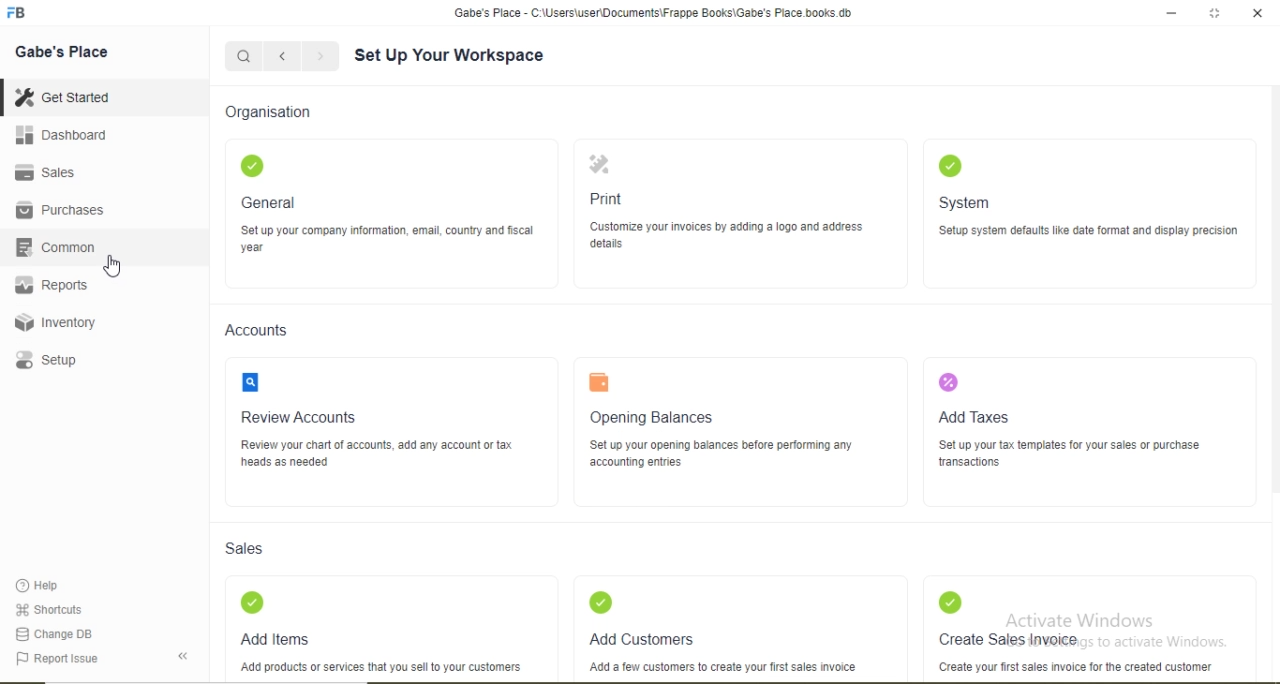 The image size is (1280, 684). Describe the element at coordinates (242, 57) in the screenshot. I see `Search` at that location.